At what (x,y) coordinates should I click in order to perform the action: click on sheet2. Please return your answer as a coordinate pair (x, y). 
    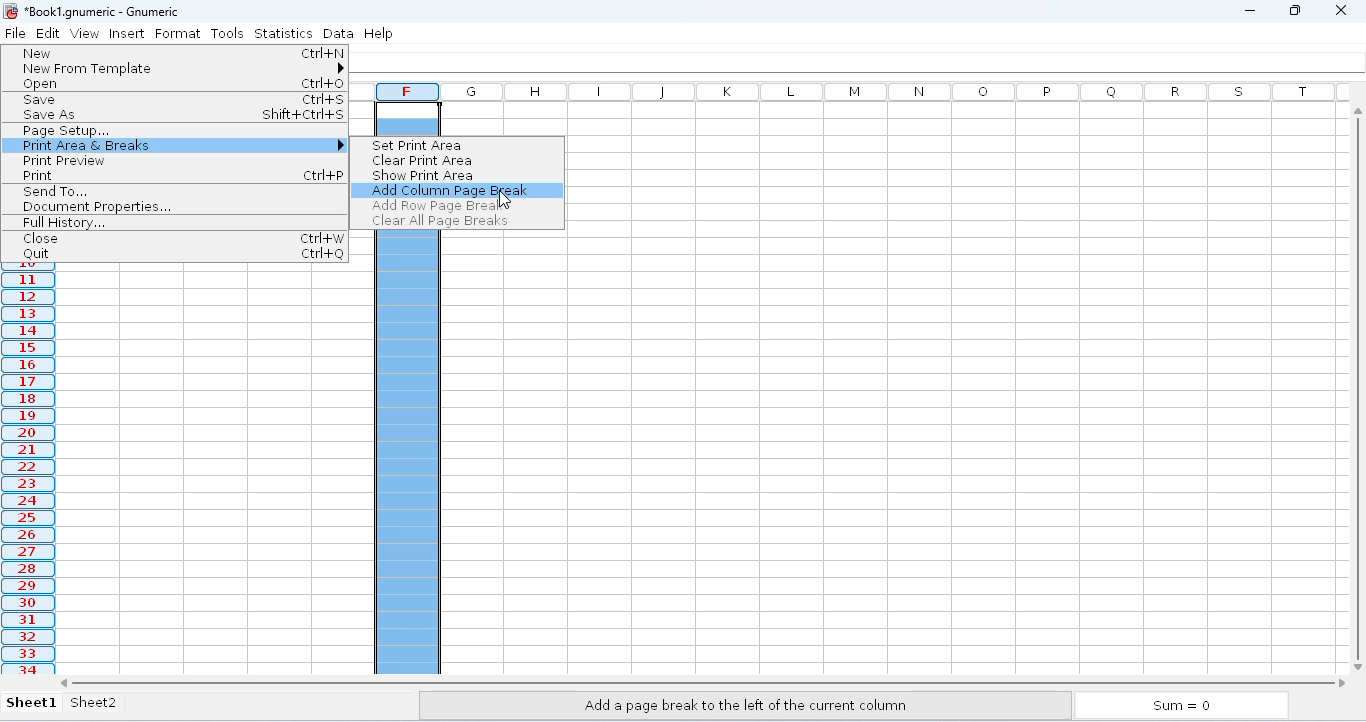
    Looking at the image, I should click on (110, 706).